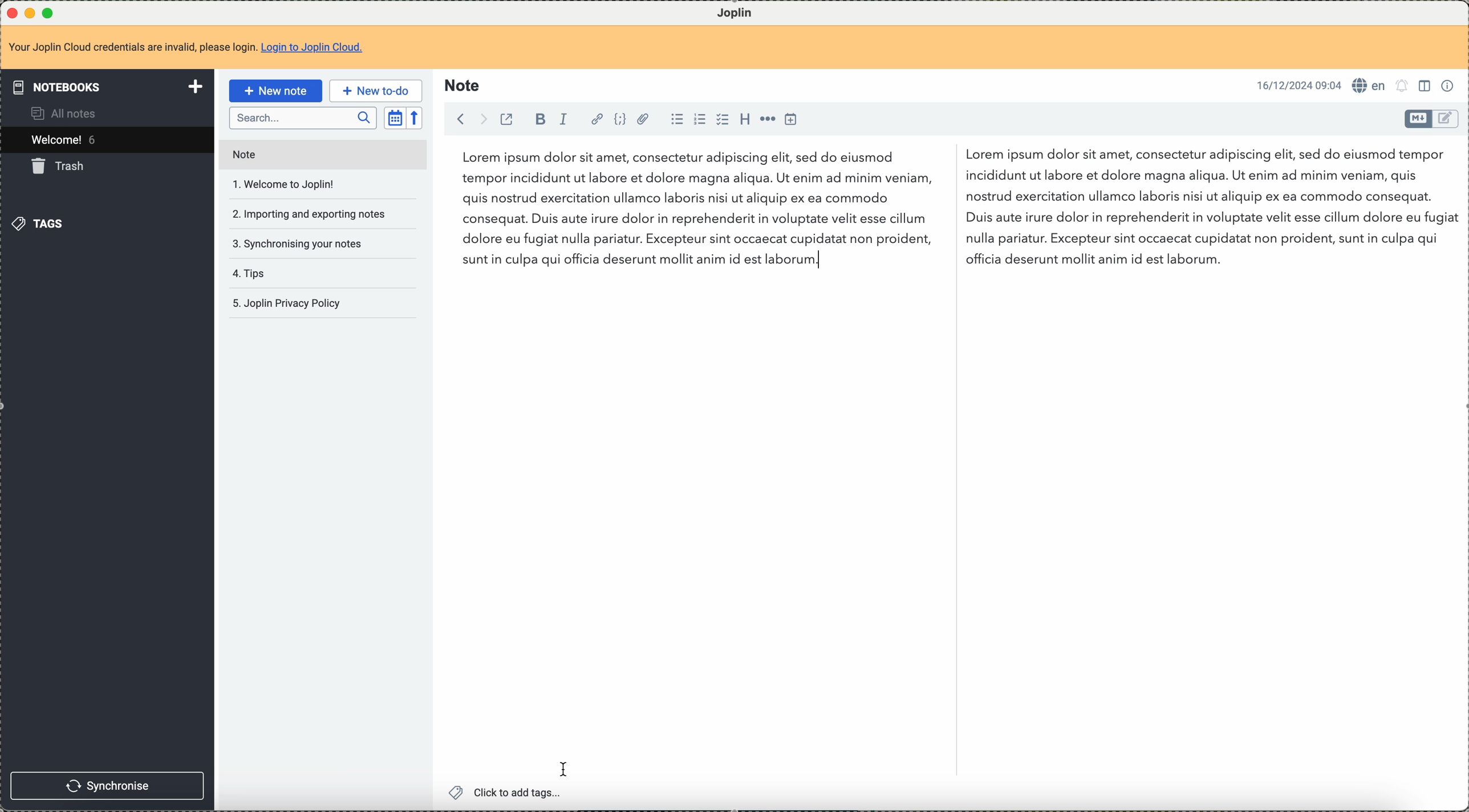  Describe the element at coordinates (298, 245) in the screenshot. I see `synchronising your notes` at that location.